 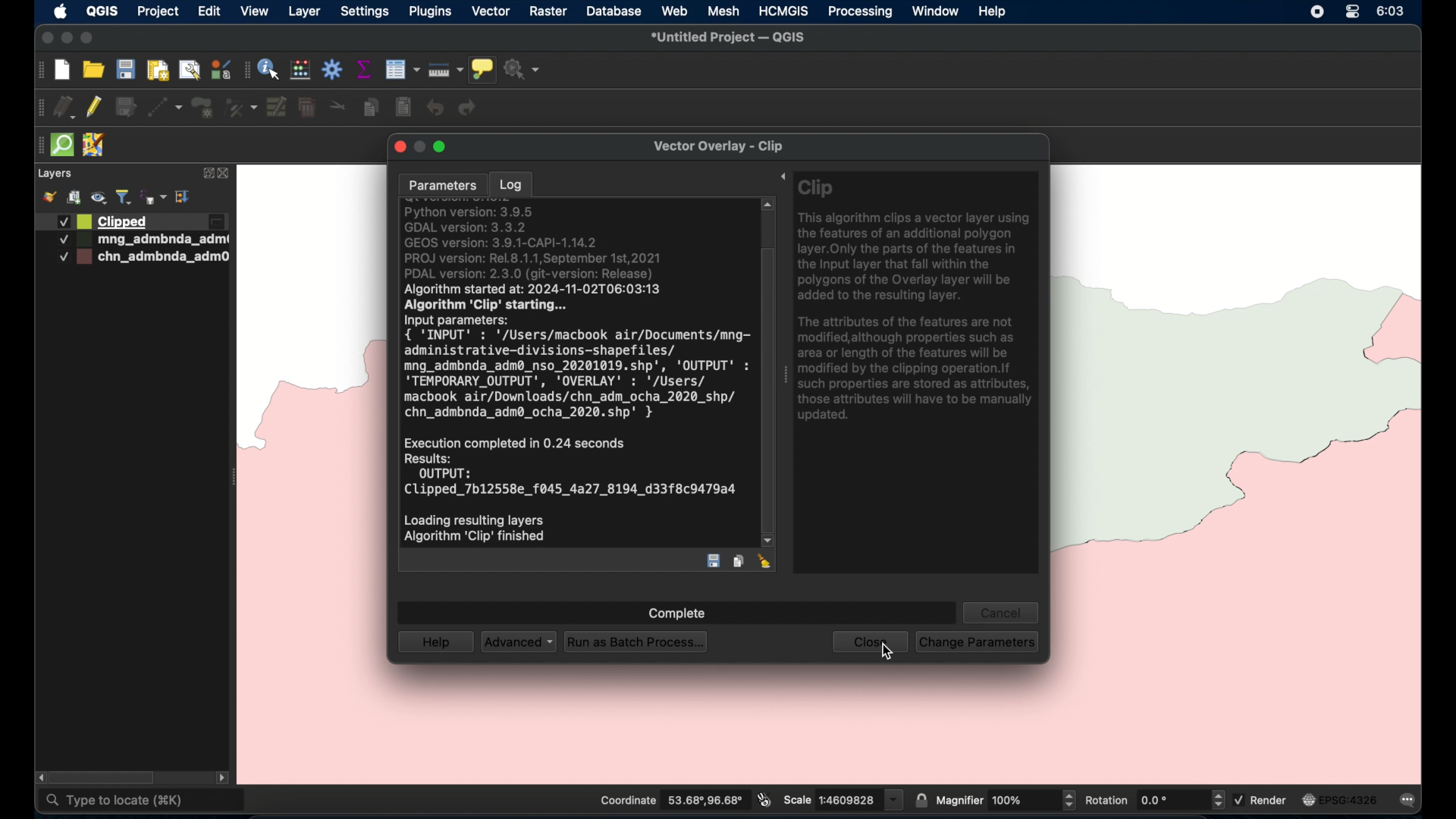 I want to click on maximize, so click(x=86, y=39).